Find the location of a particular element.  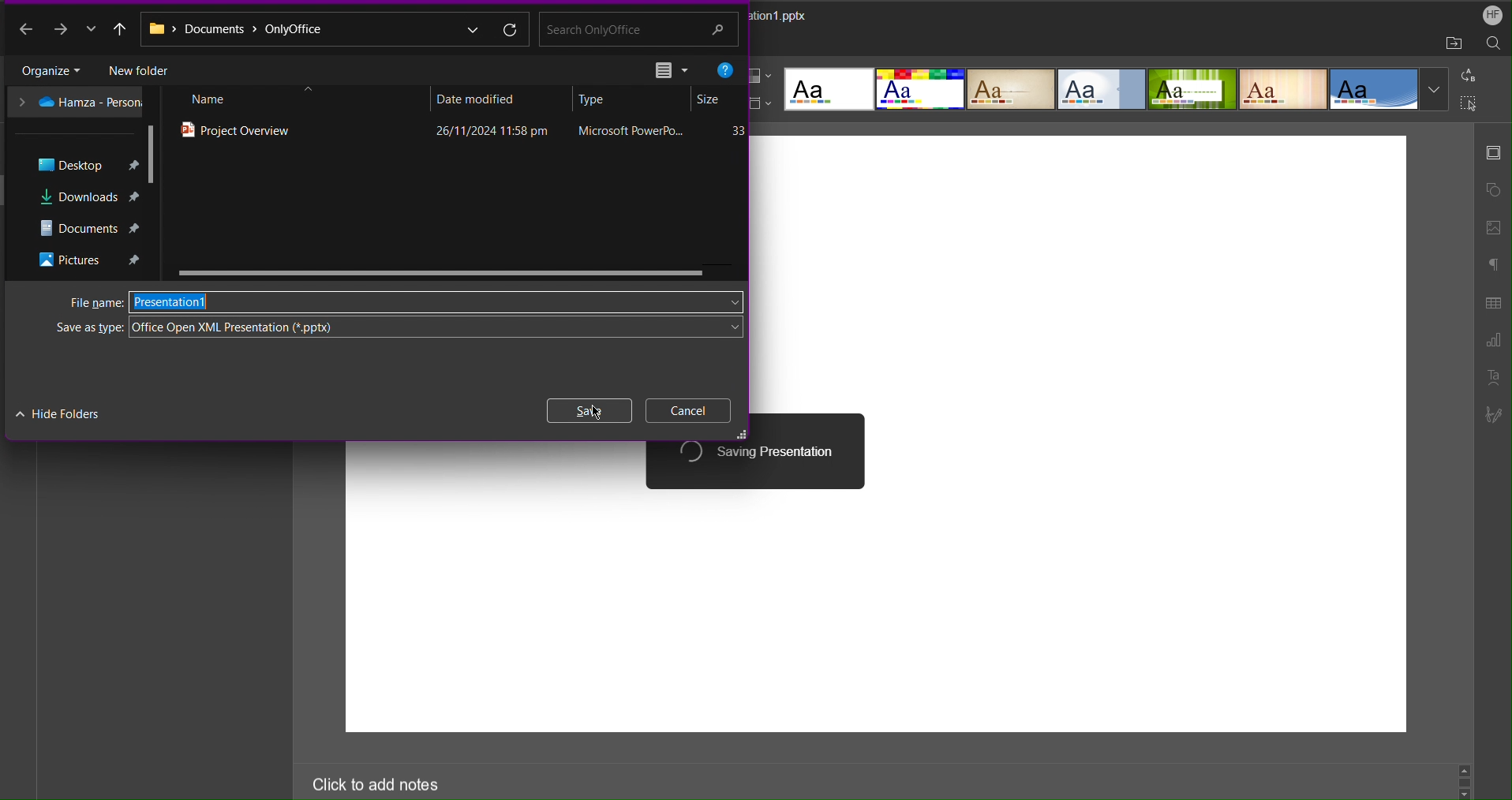

more templates is located at coordinates (1435, 91).